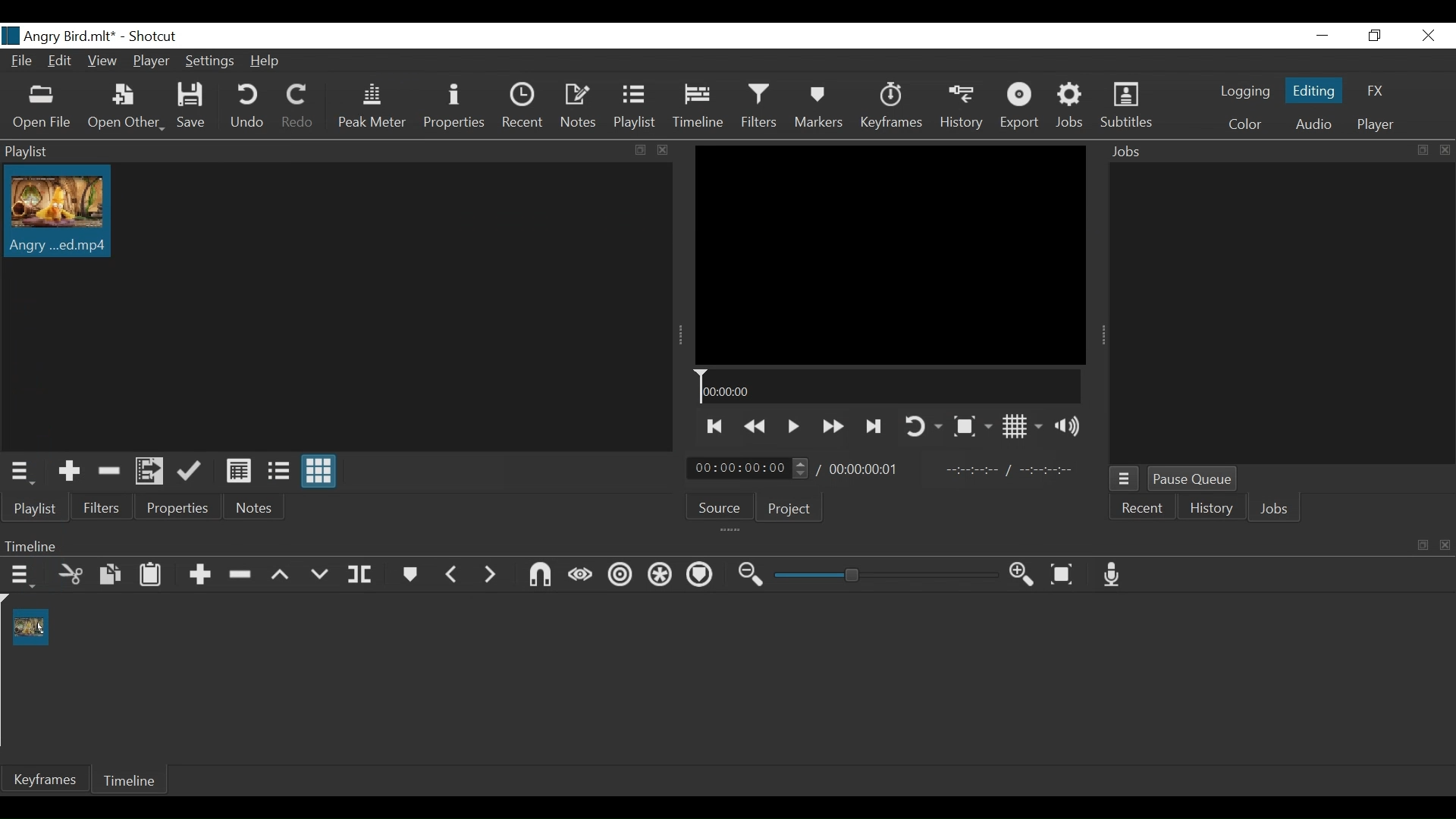 The width and height of the screenshot is (1456, 819). Describe the element at coordinates (1245, 124) in the screenshot. I see `Color` at that location.